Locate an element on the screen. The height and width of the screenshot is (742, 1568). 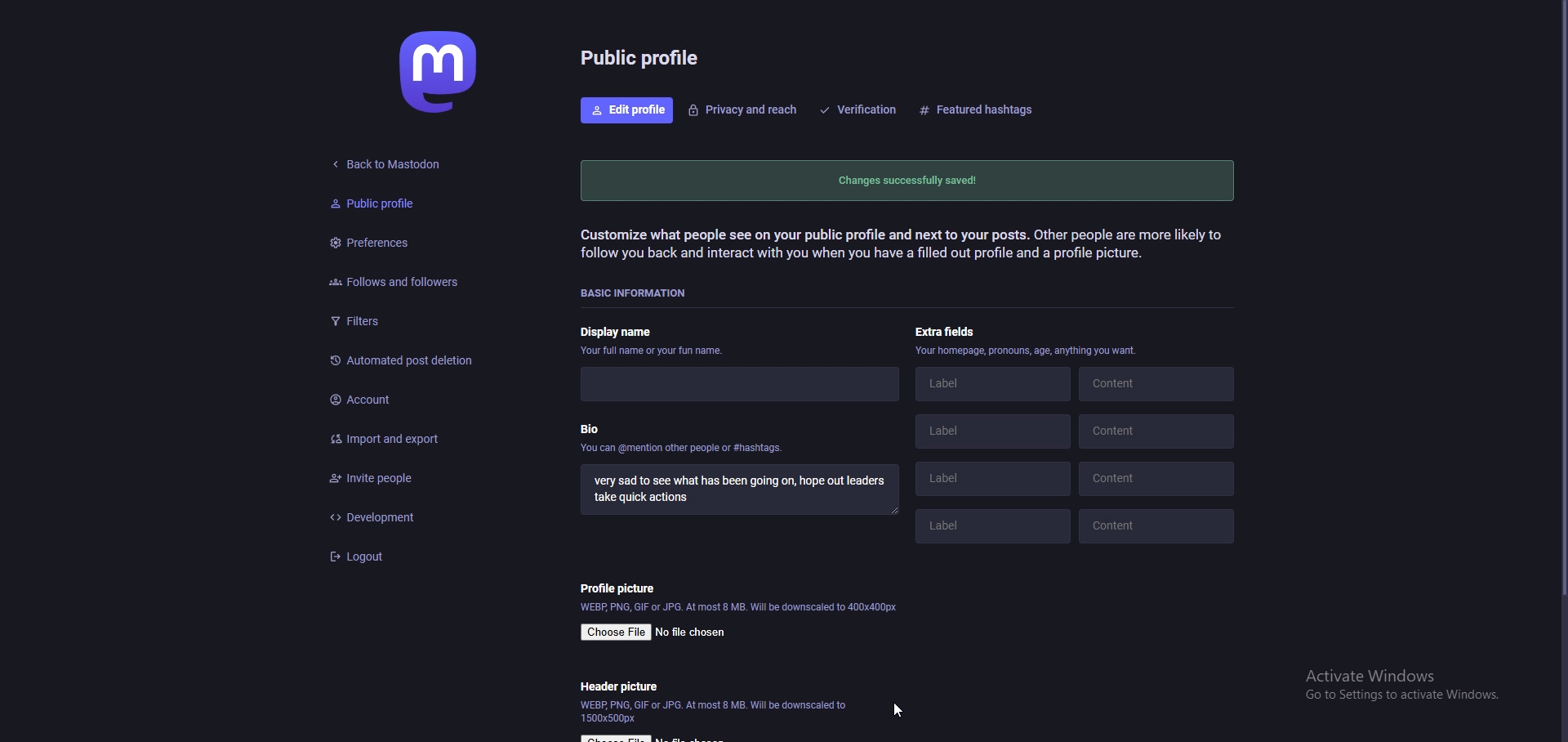
Content is located at coordinates (1151, 429).